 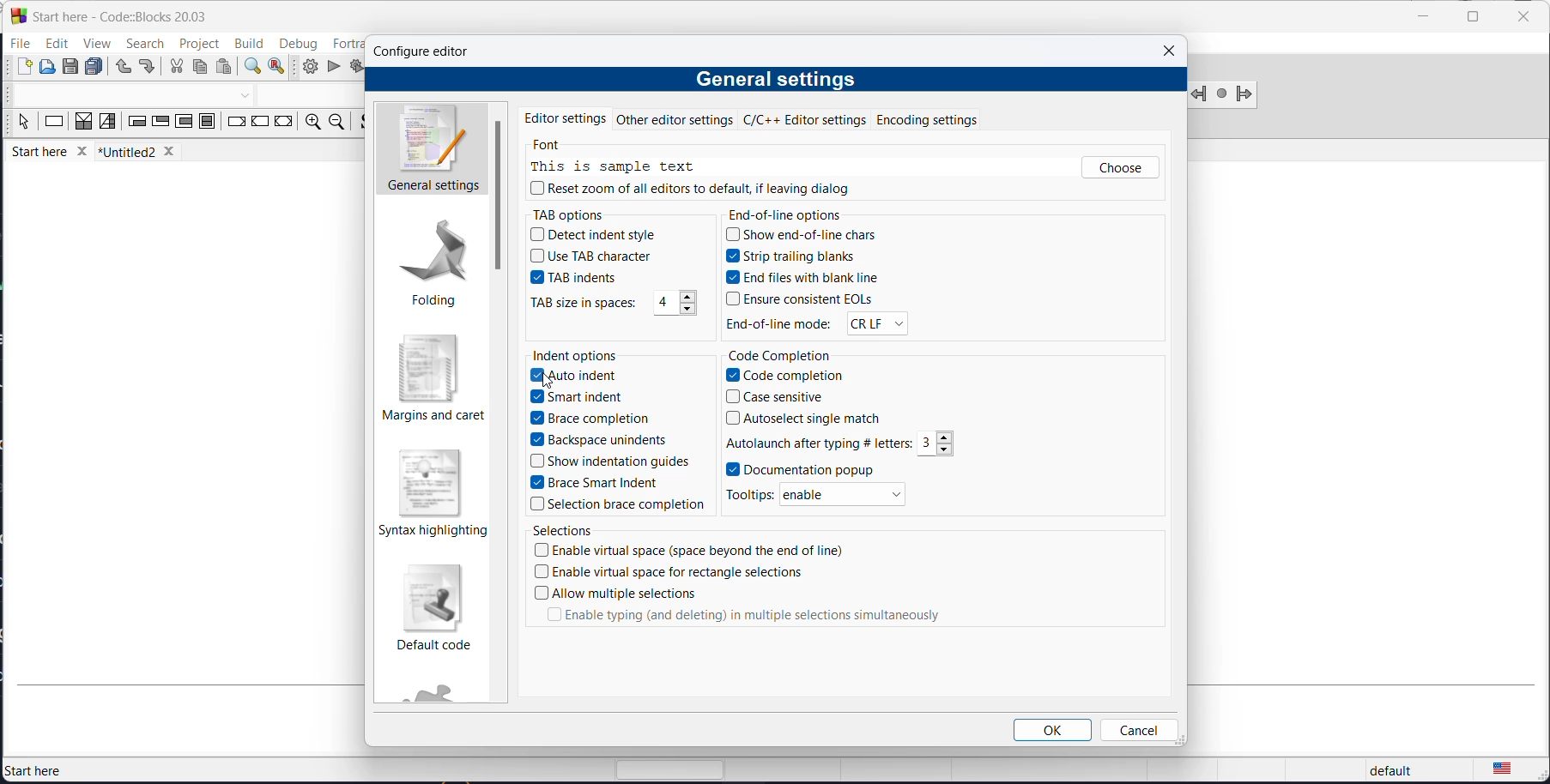 I want to click on project, so click(x=200, y=41).